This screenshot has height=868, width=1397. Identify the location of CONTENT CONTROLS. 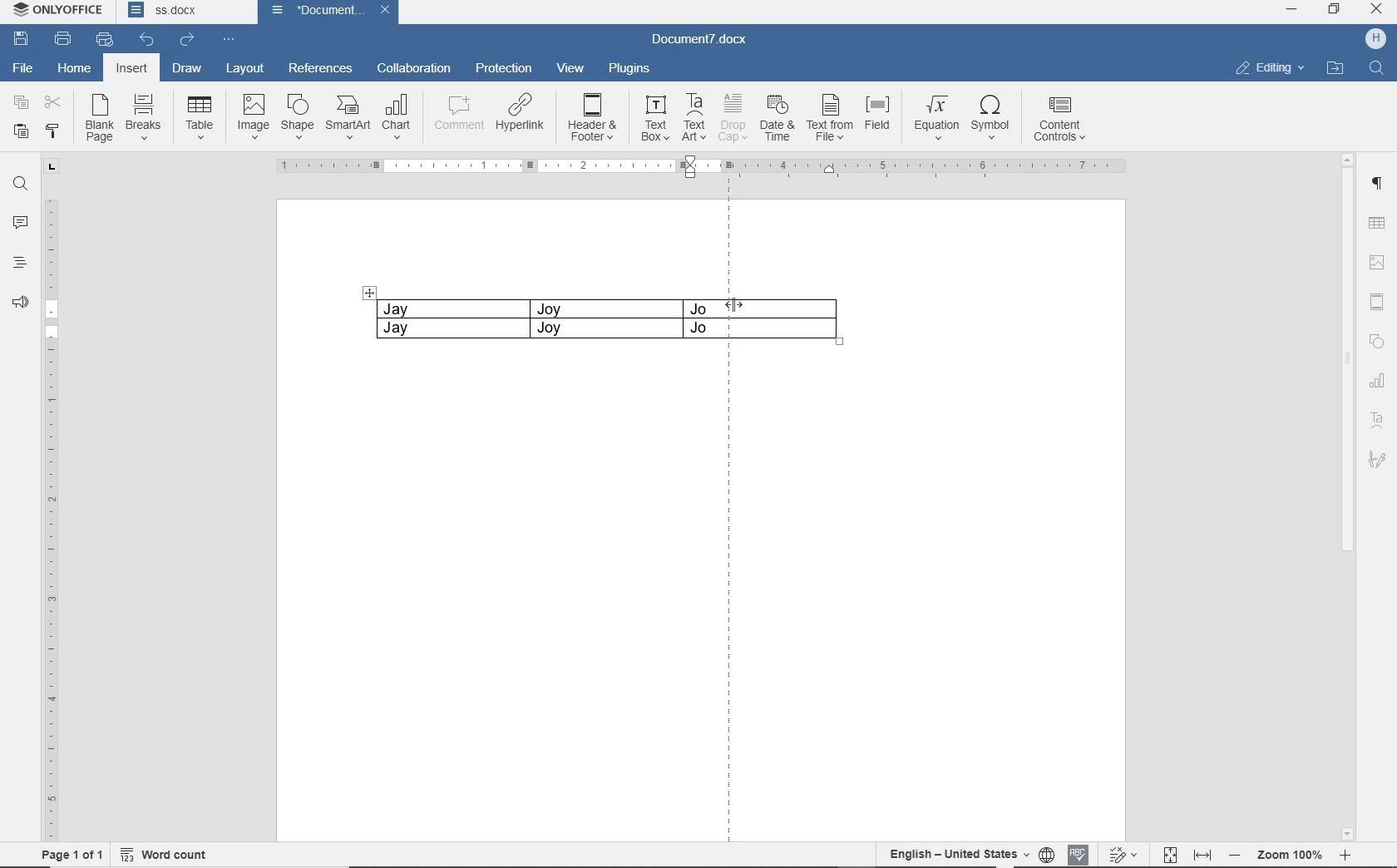
(1062, 120).